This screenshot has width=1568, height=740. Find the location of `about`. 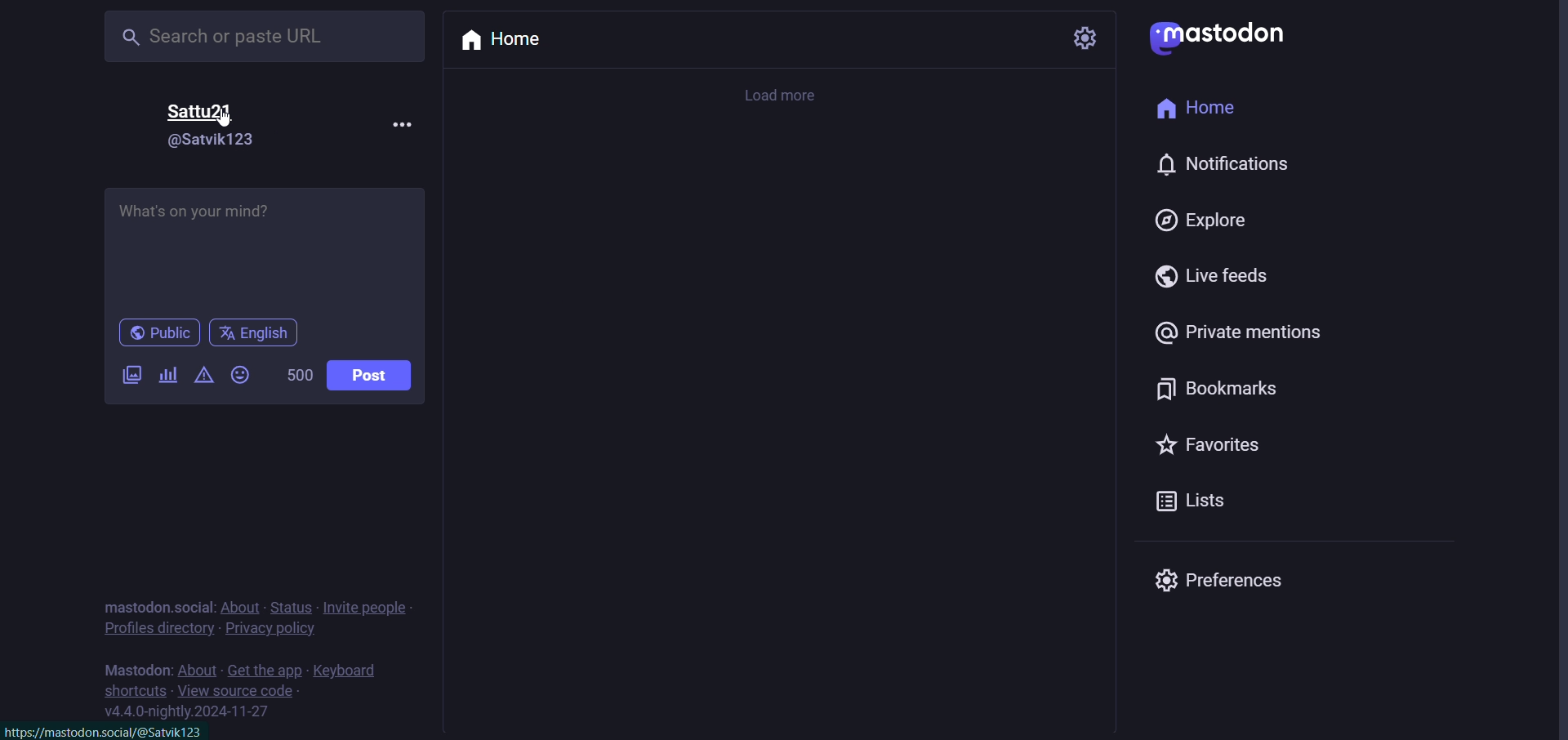

about is located at coordinates (240, 606).